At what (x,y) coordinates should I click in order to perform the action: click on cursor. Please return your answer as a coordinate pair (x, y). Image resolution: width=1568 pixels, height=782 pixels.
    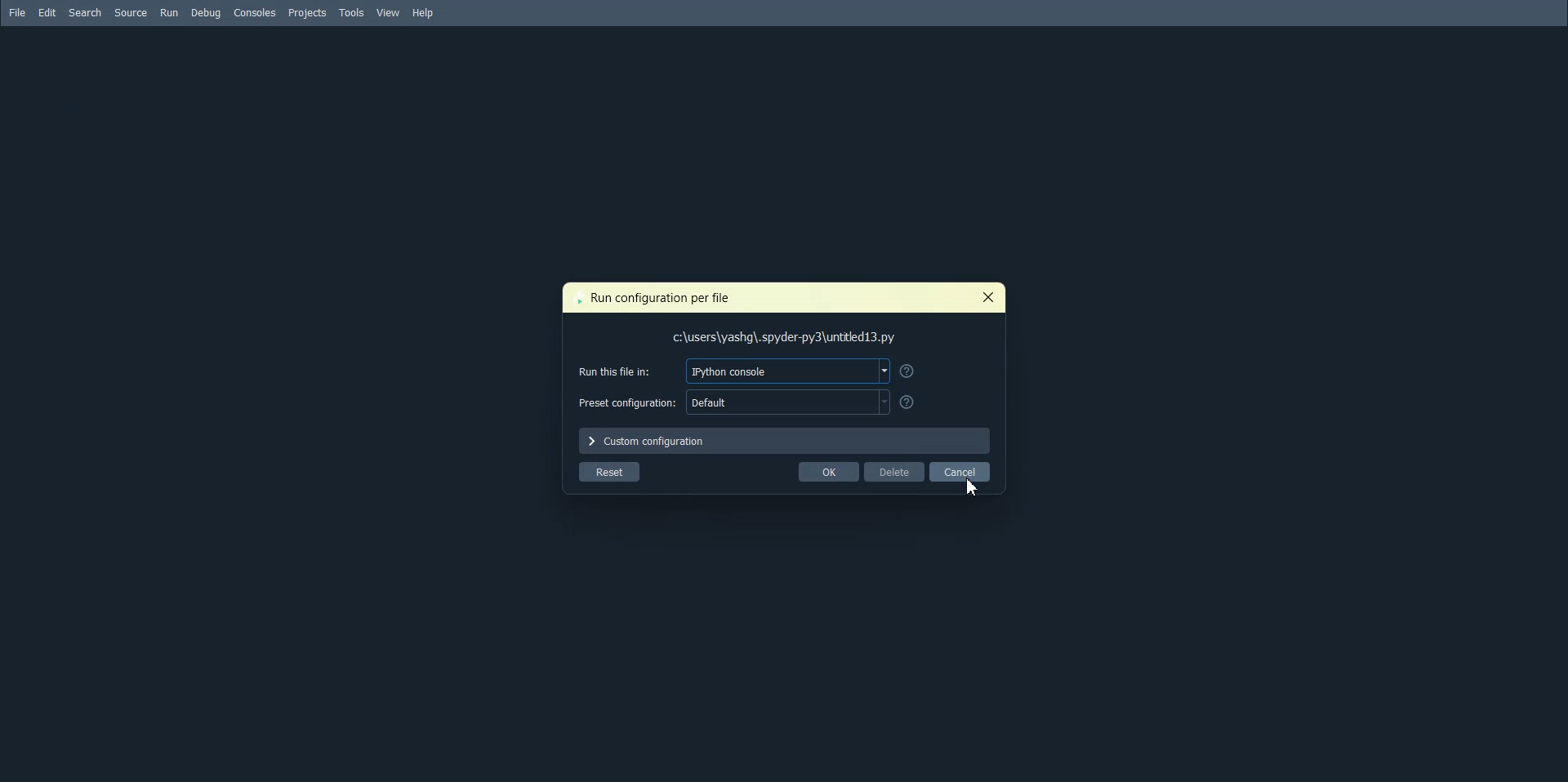
    Looking at the image, I should click on (973, 488).